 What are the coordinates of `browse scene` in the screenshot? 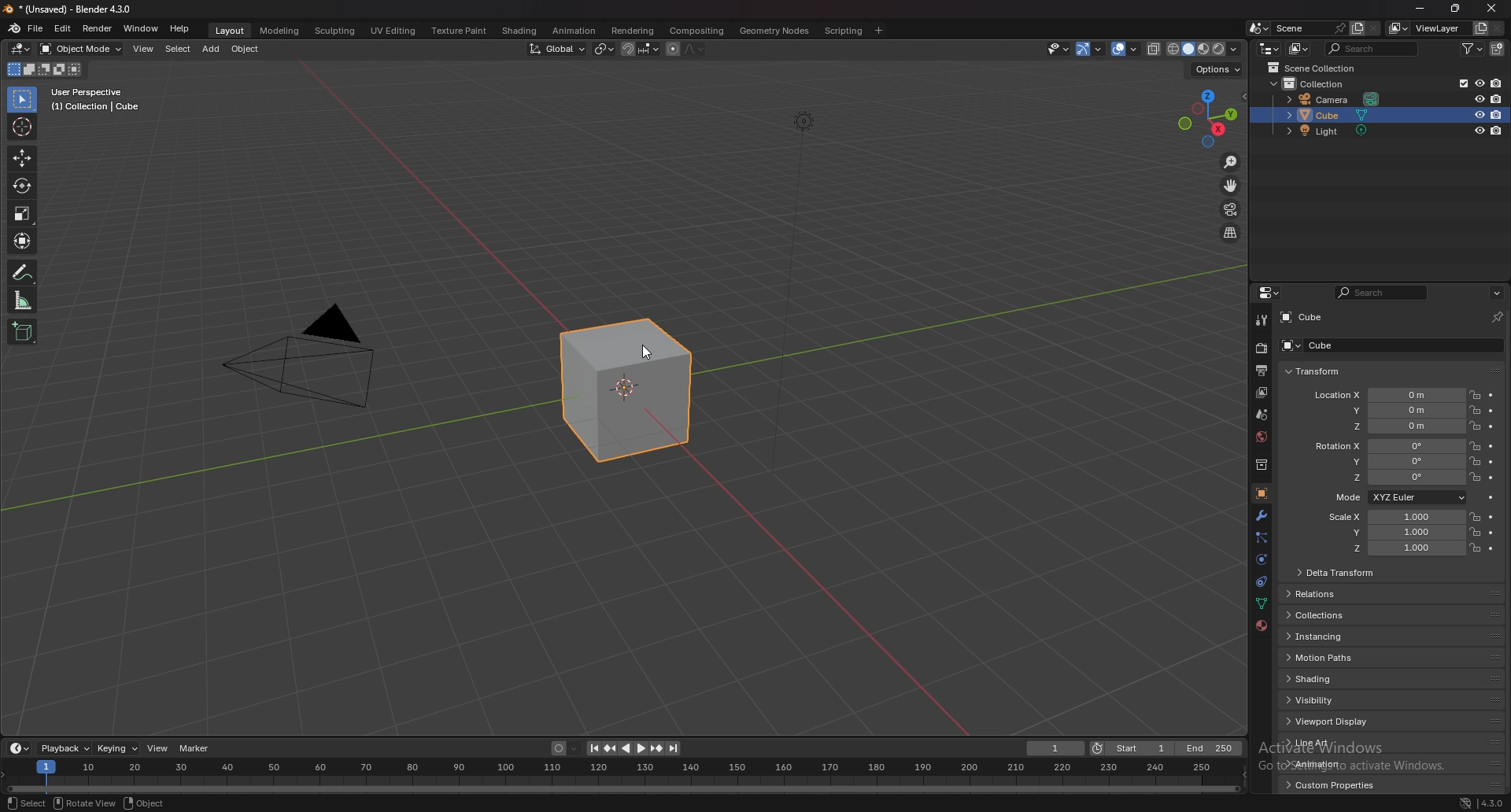 It's located at (1258, 28).